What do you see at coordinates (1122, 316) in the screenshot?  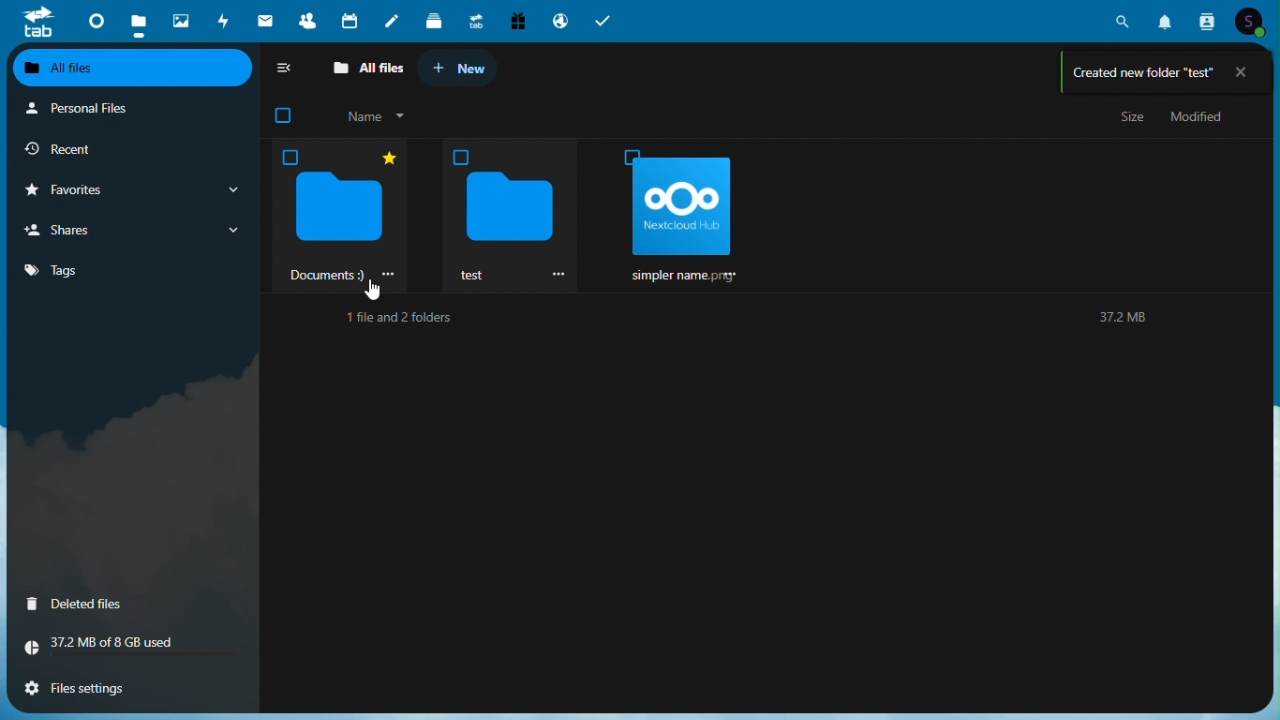 I see `Text` at bounding box center [1122, 316].